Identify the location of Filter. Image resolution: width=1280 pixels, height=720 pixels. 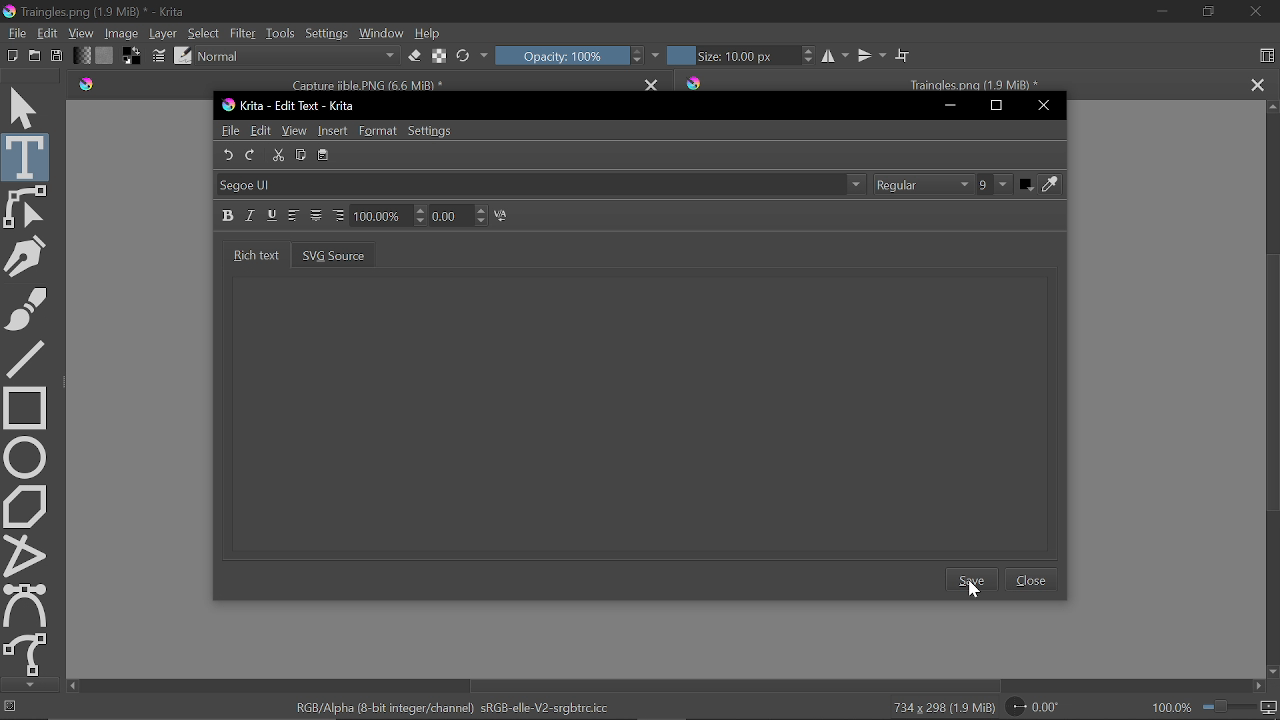
(243, 33).